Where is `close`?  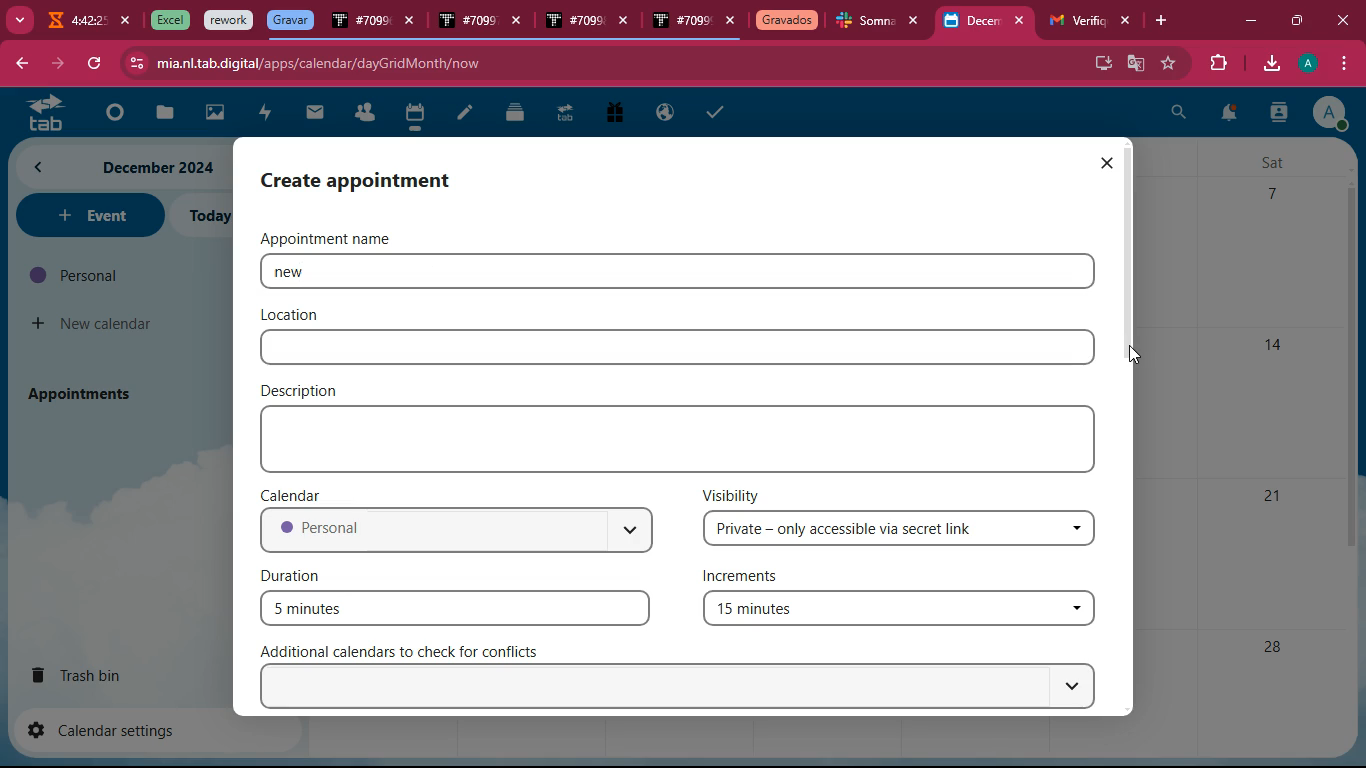 close is located at coordinates (628, 23).